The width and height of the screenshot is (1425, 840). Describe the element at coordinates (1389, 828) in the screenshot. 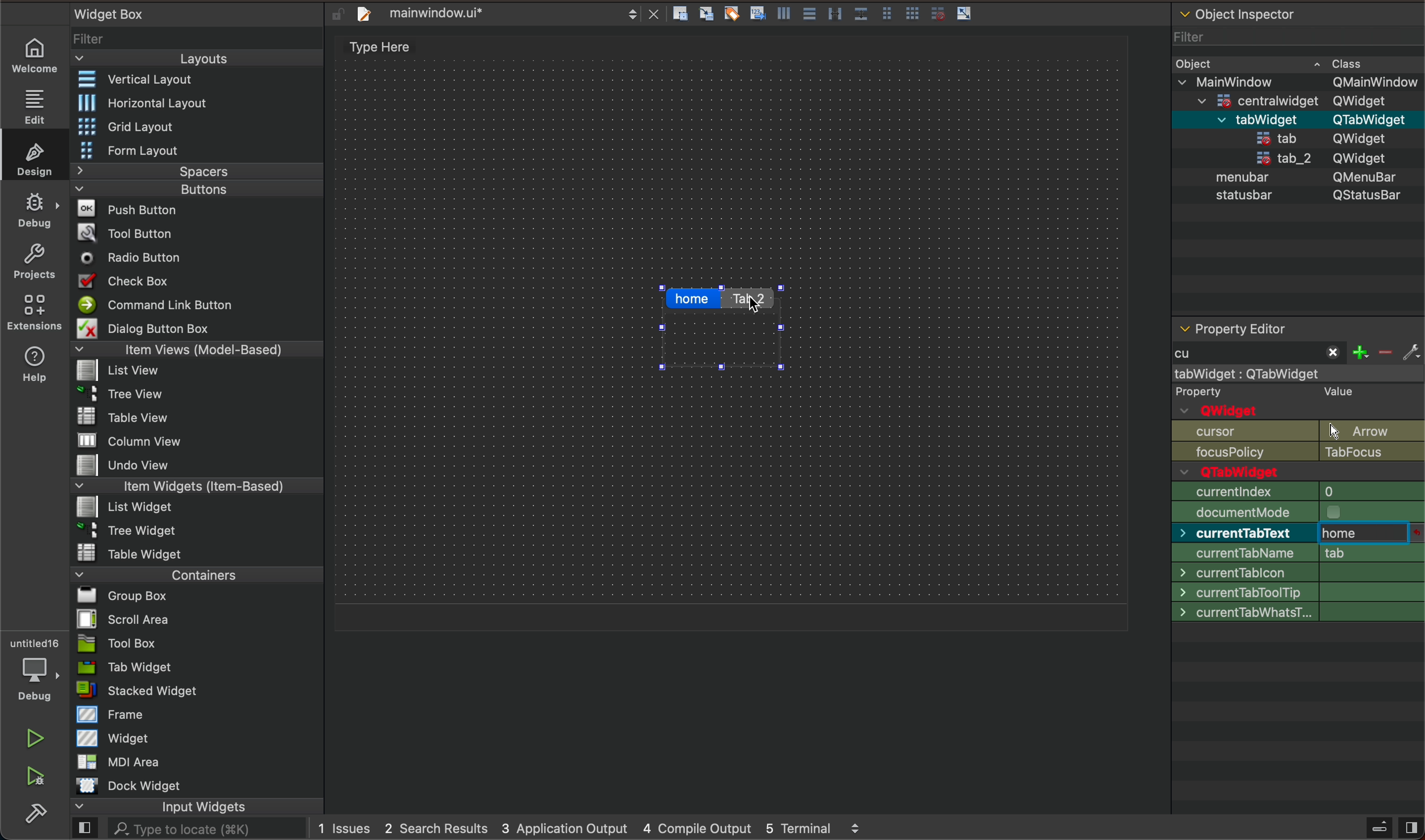

I see `close sidebar` at that location.